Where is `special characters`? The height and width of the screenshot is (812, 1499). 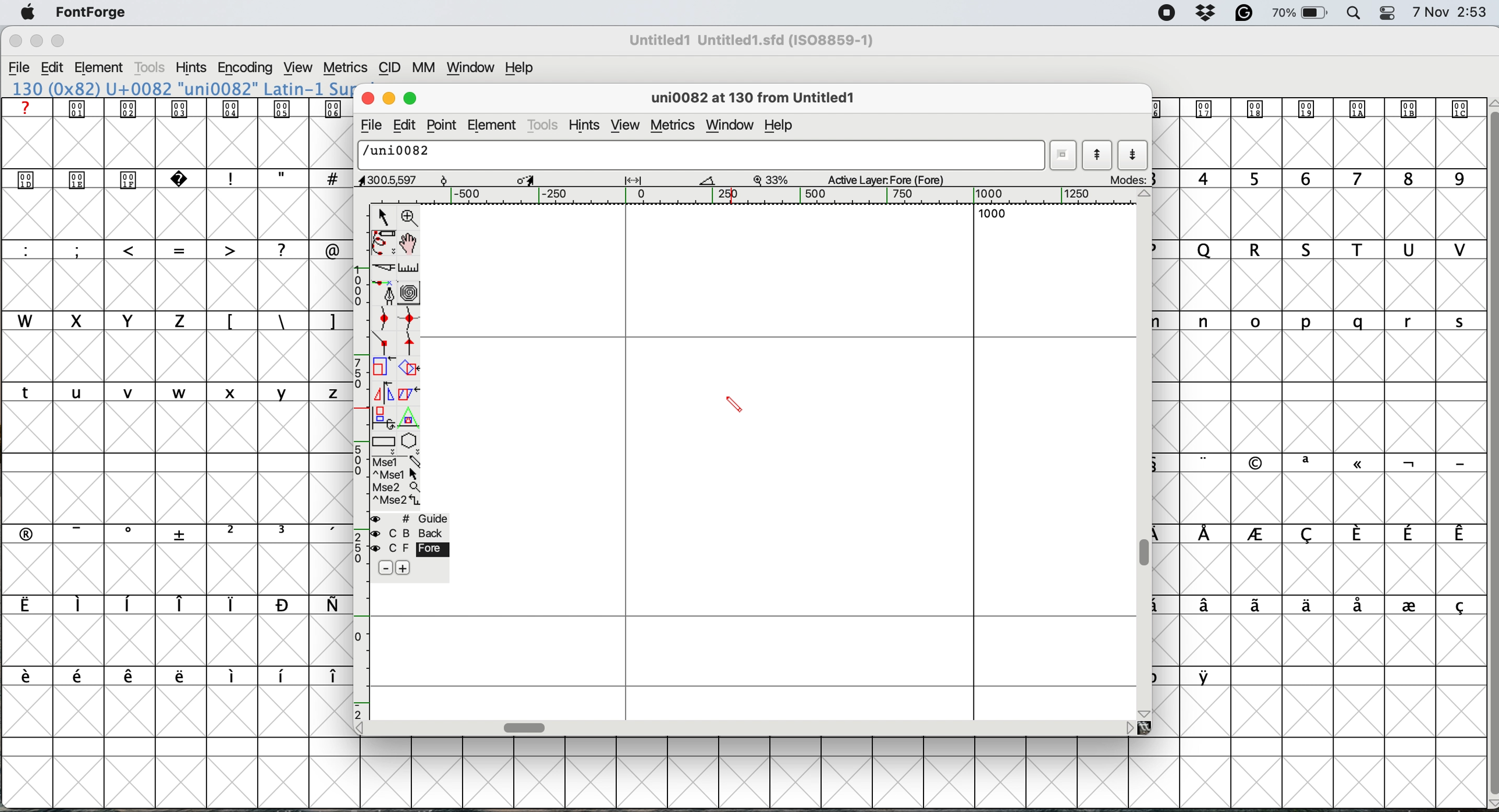
special characters is located at coordinates (1191, 676).